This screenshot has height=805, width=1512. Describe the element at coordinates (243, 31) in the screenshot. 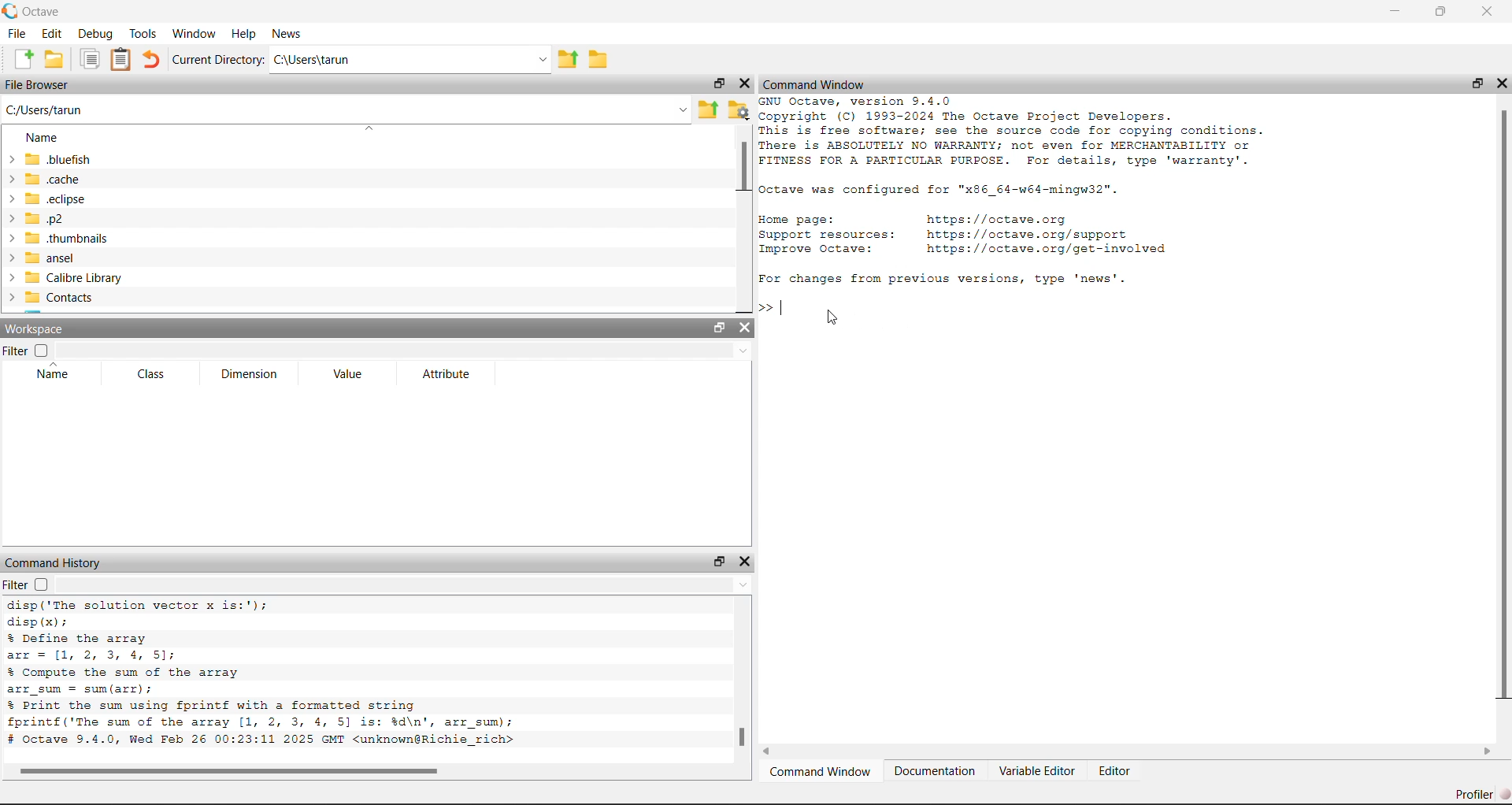

I see `Help` at that location.